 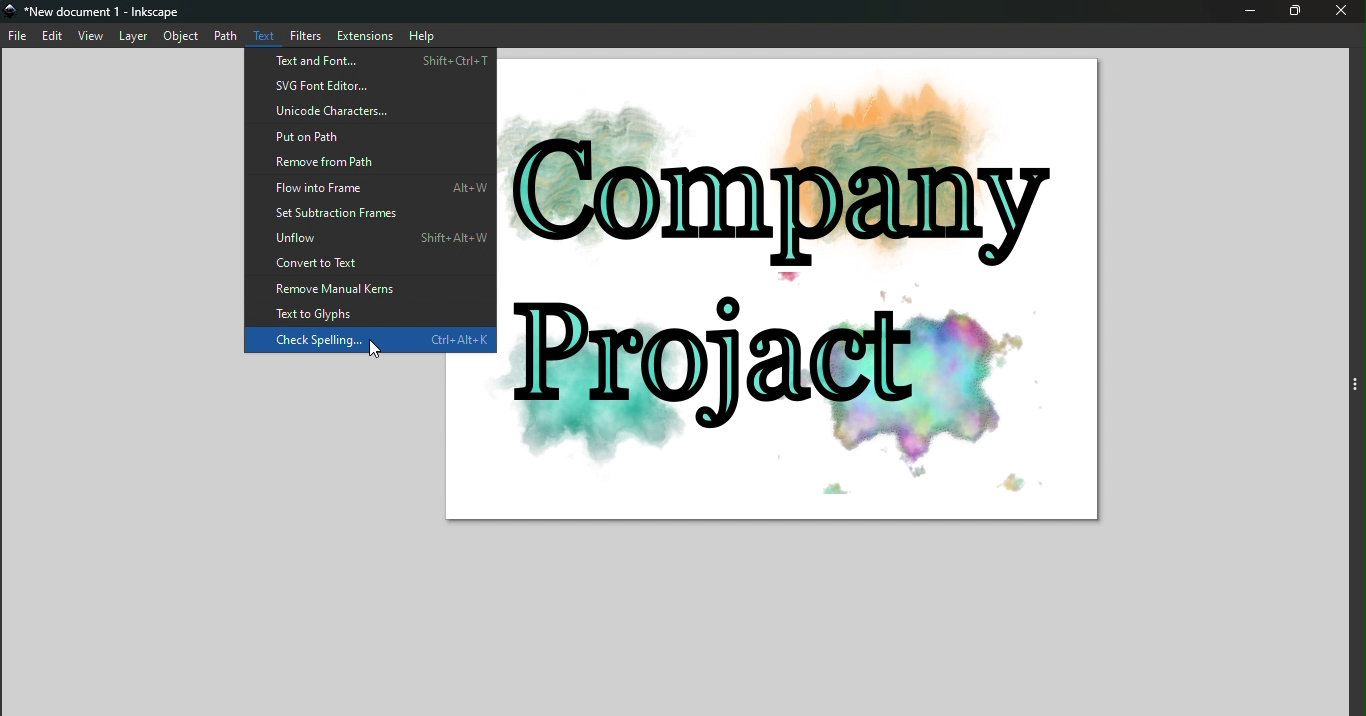 I want to click on Check spelling, so click(x=370, y=342).